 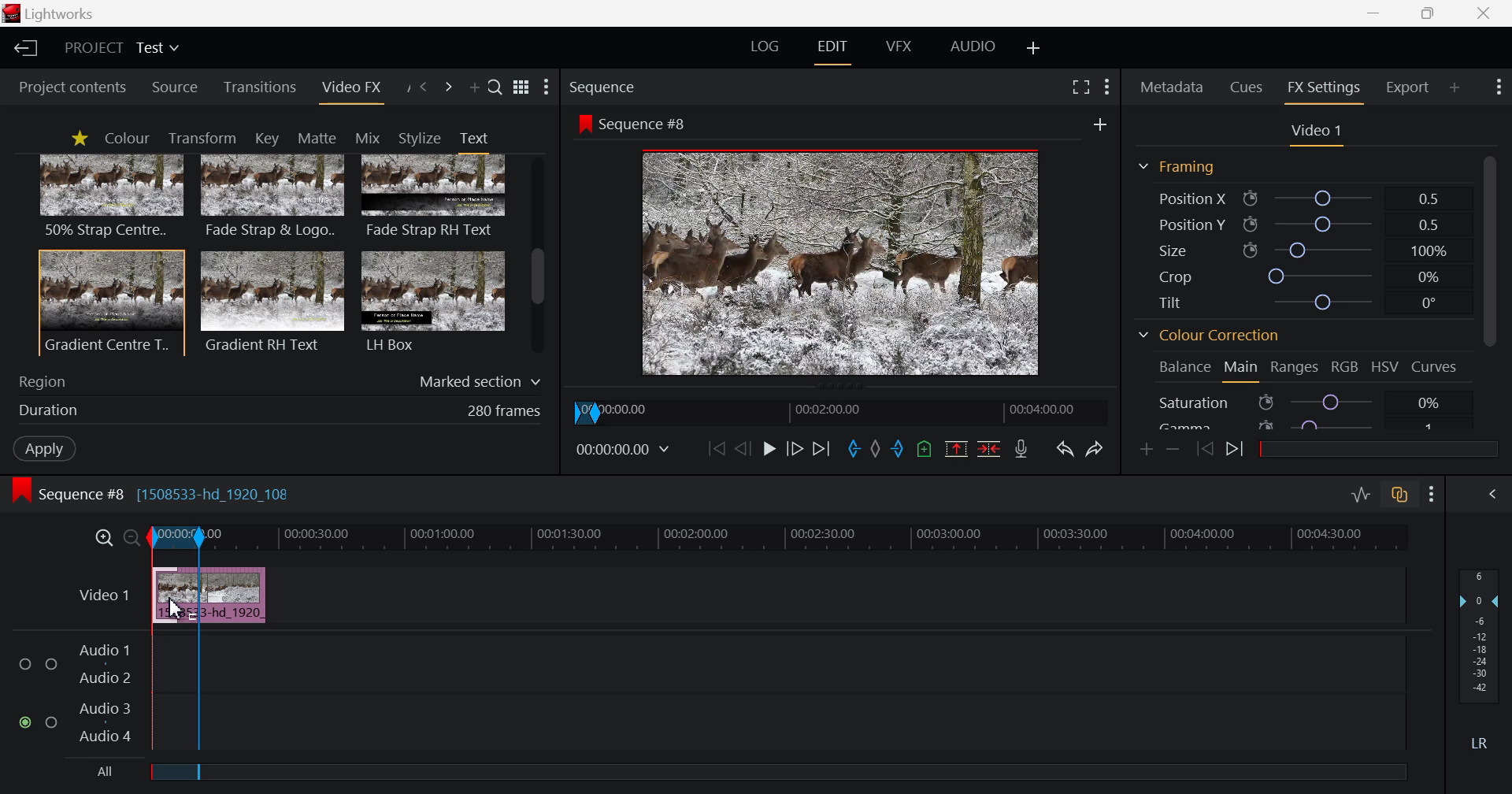 I want to click on Sequence Section Heading , so click(x=668, y=86).